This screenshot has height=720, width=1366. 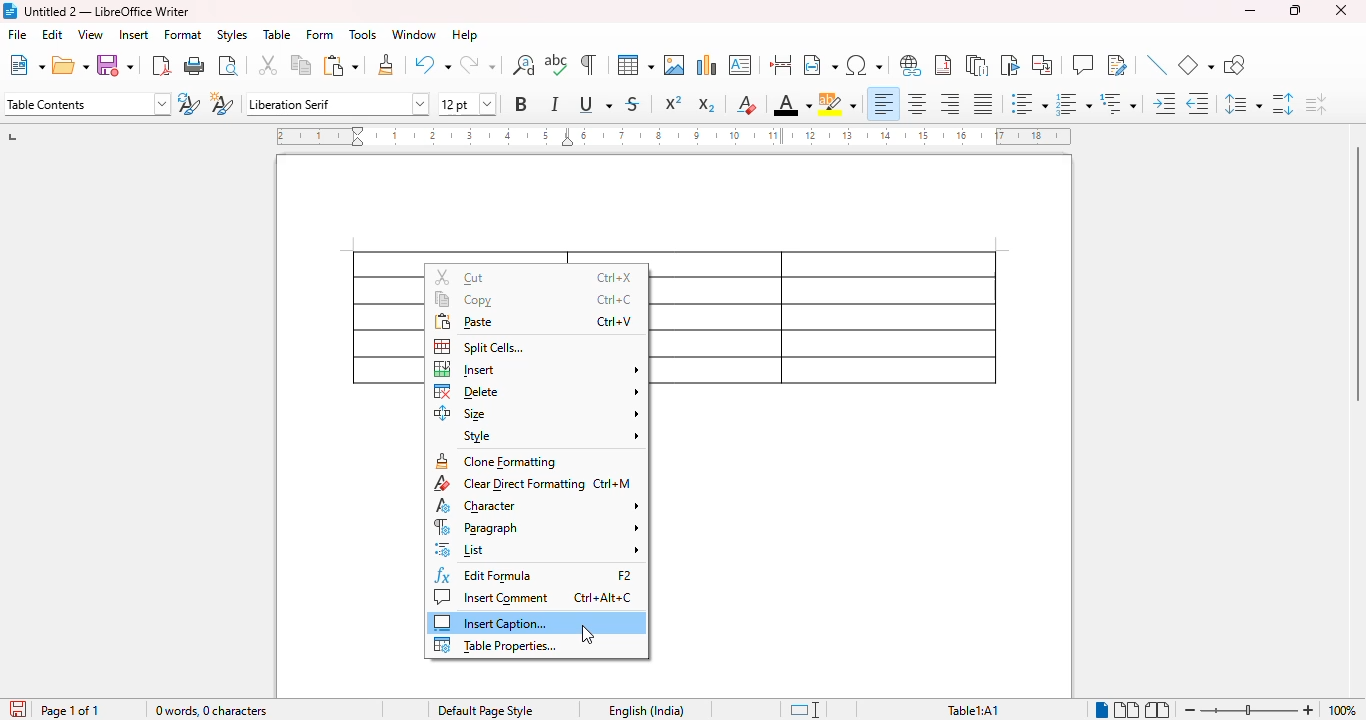 What do you see at coordinates (740, 65) in the screenshot?
I see `insert text box` at bounding box center [740, 65].